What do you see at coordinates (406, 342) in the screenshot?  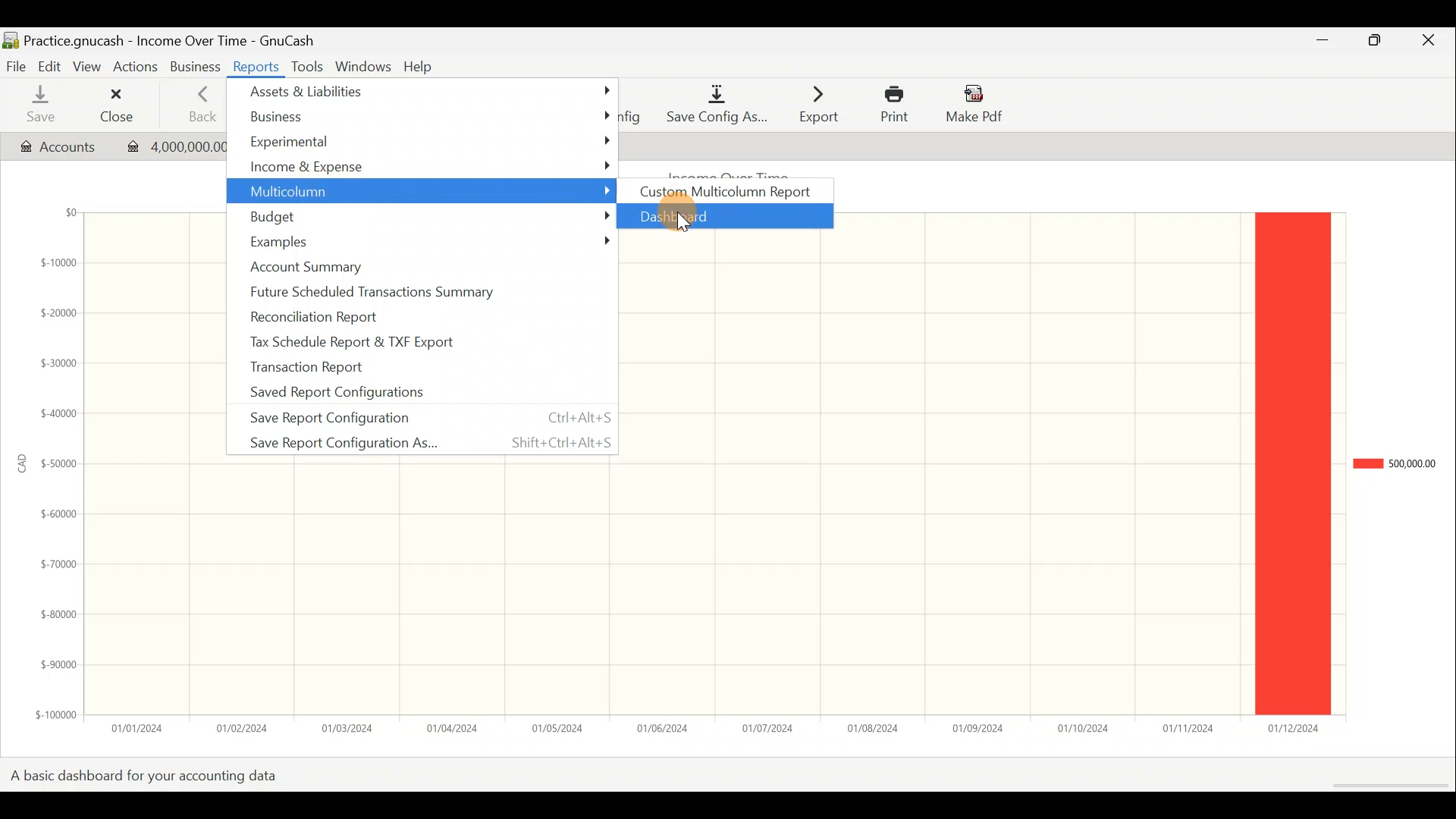 I see `Tax schedule report & TXF export` at bounding box center [406, 342].